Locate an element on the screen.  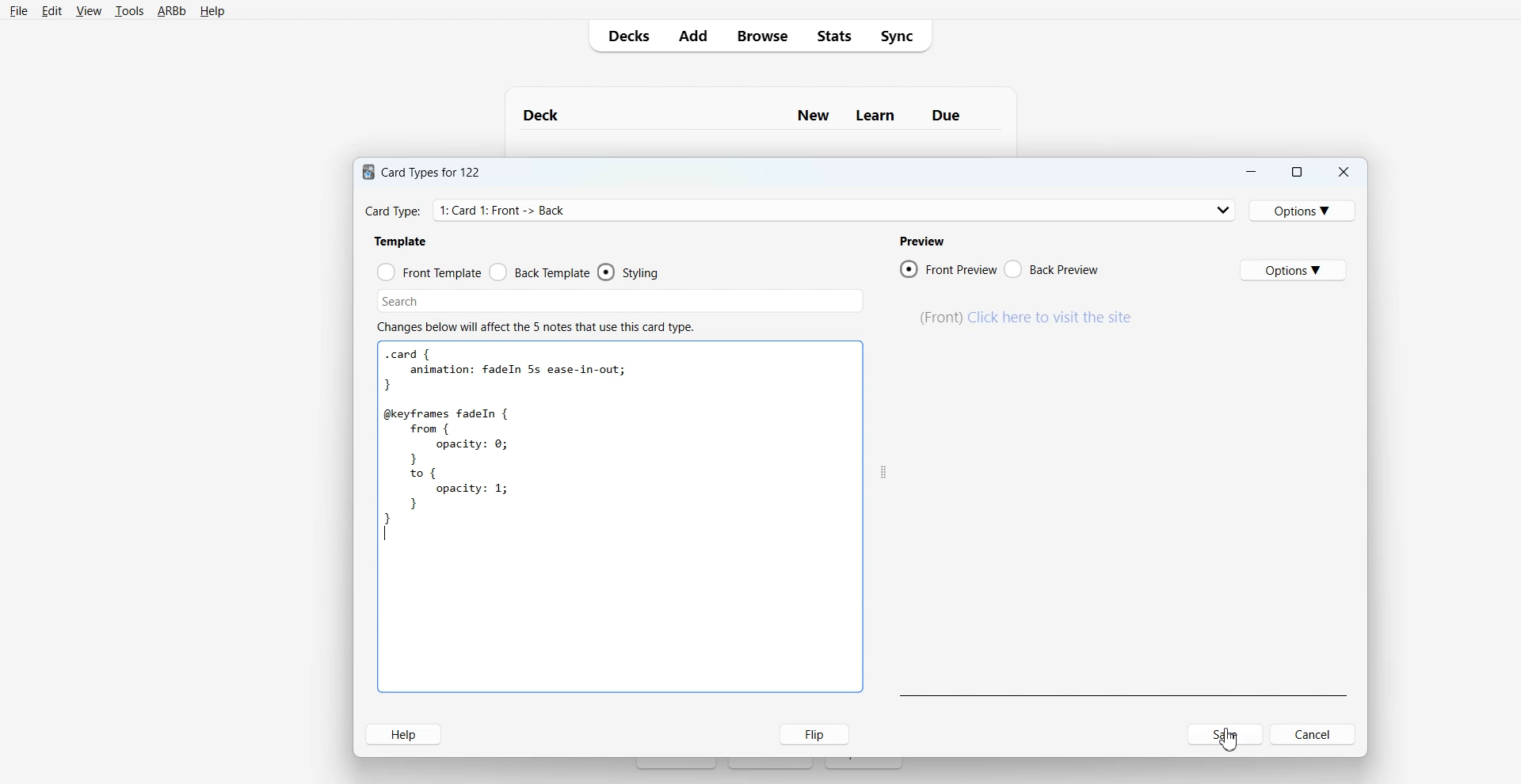
Front Template is located at coordinates (429, 271).